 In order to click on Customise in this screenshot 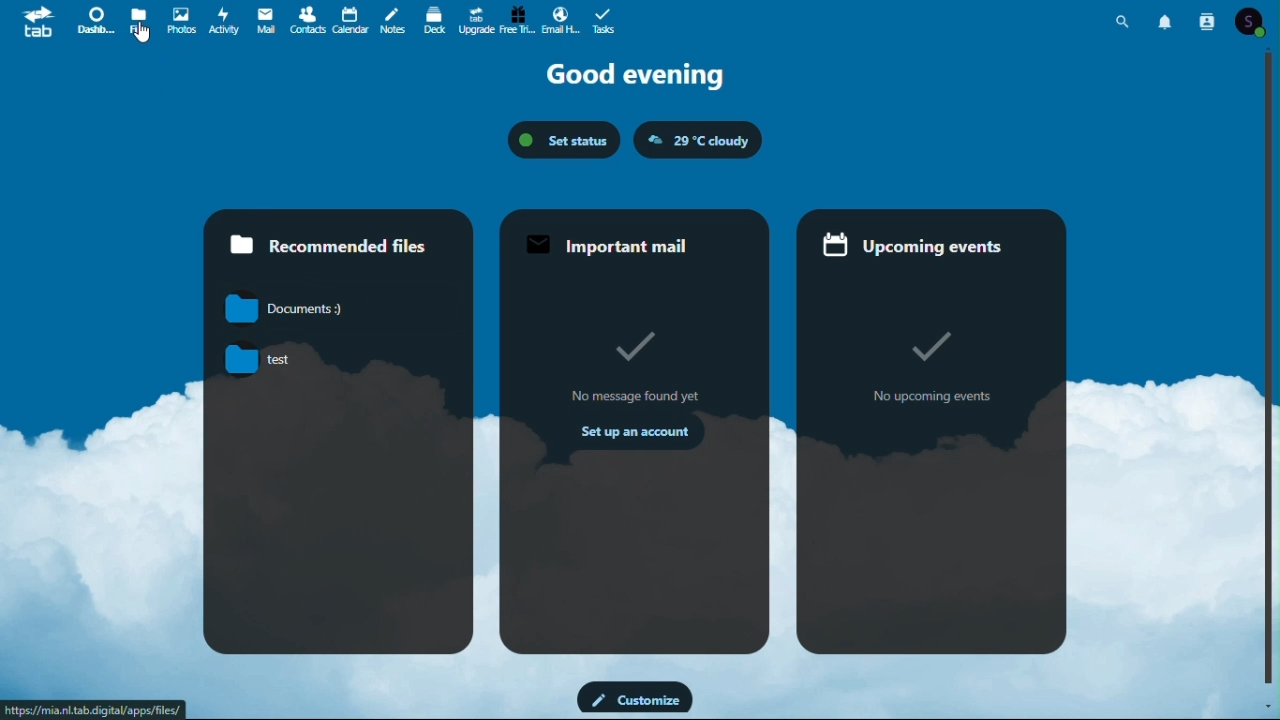, I will do `click(637, 698)`.